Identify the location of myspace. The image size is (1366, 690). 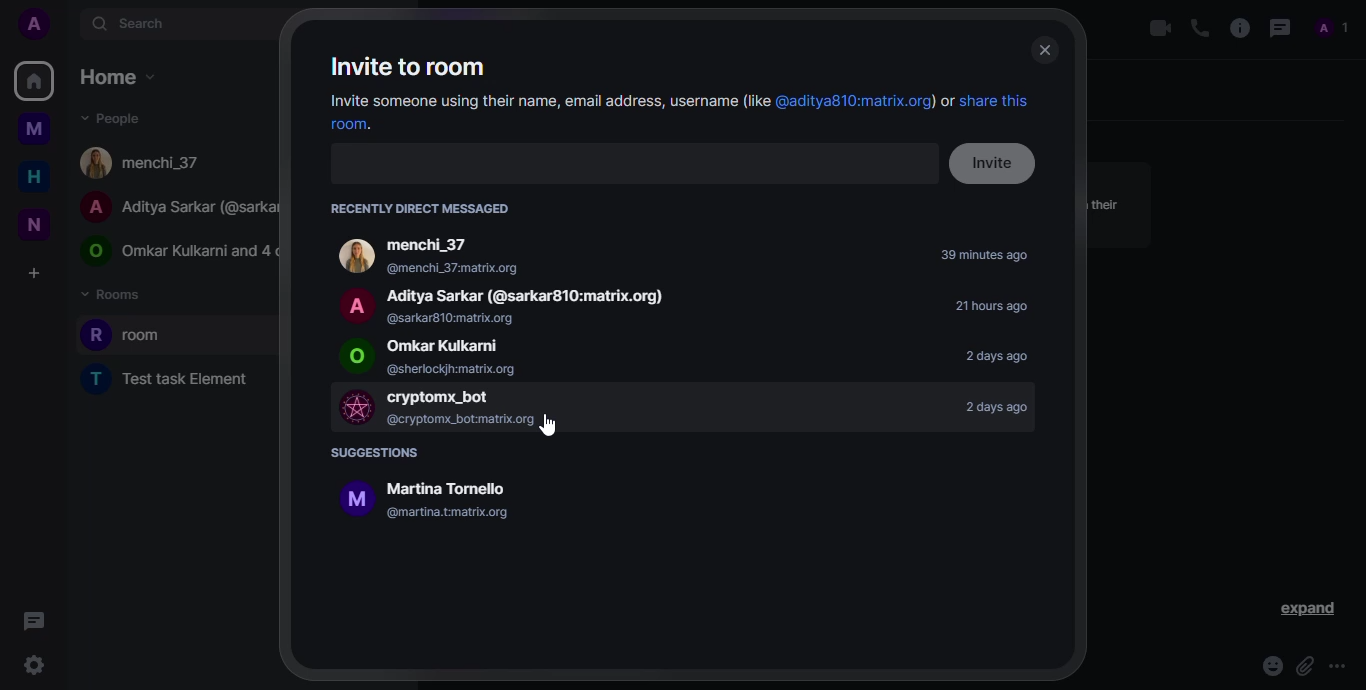
(37, 128).